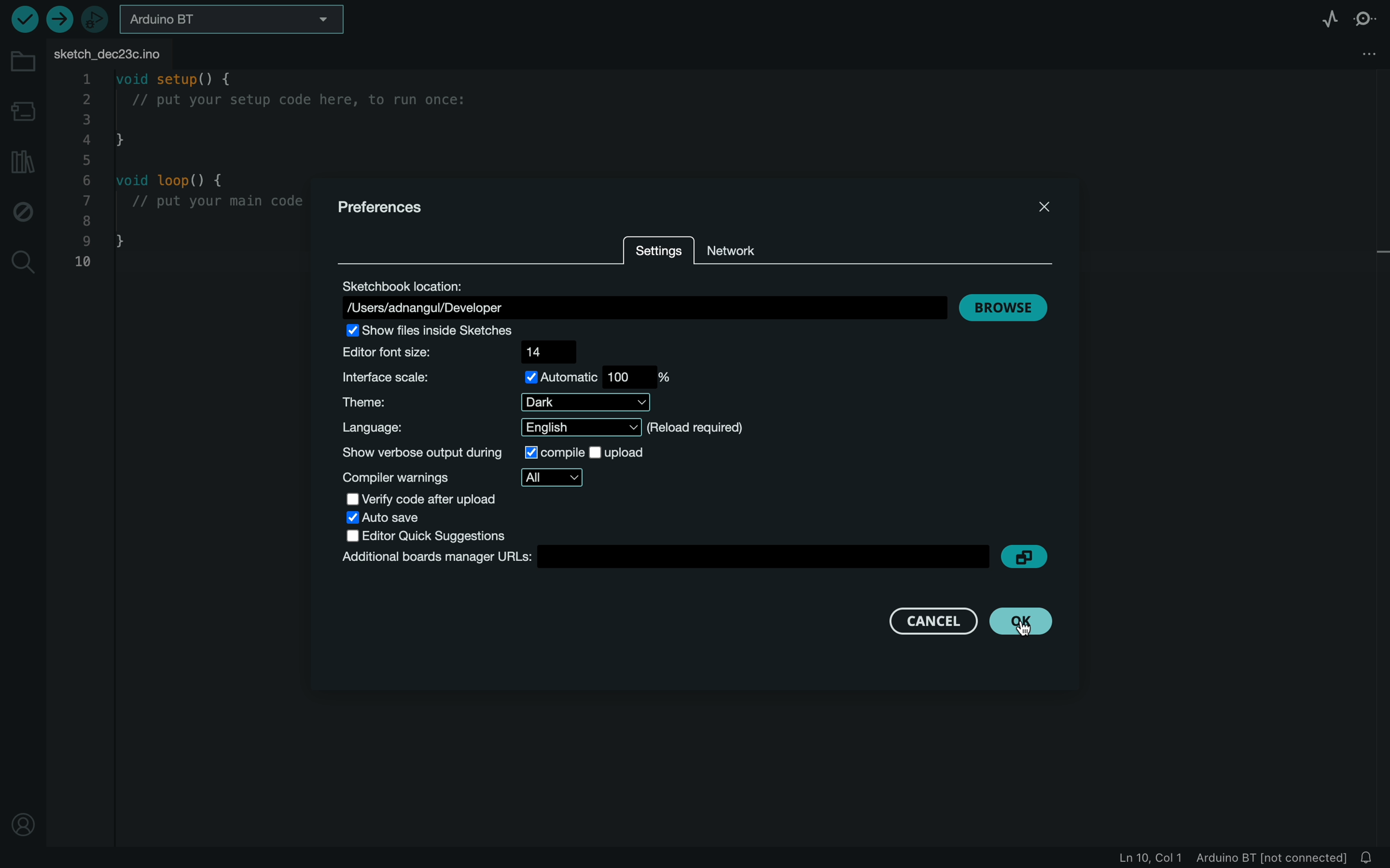  Describe the element at coordinates (513, 375) in the screenshot. I see `scale` at that location.